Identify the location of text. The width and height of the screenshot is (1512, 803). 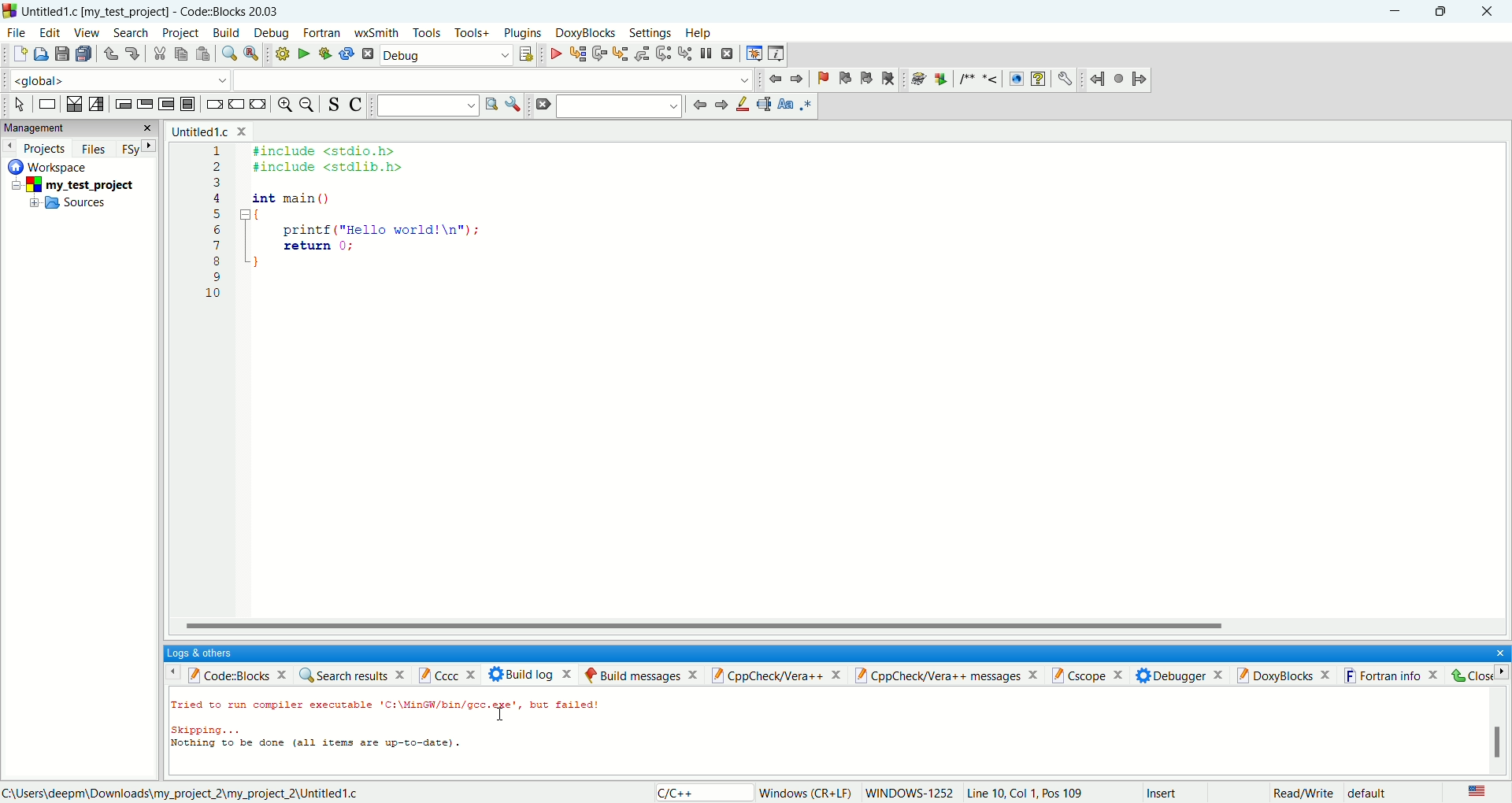
(426, 730).